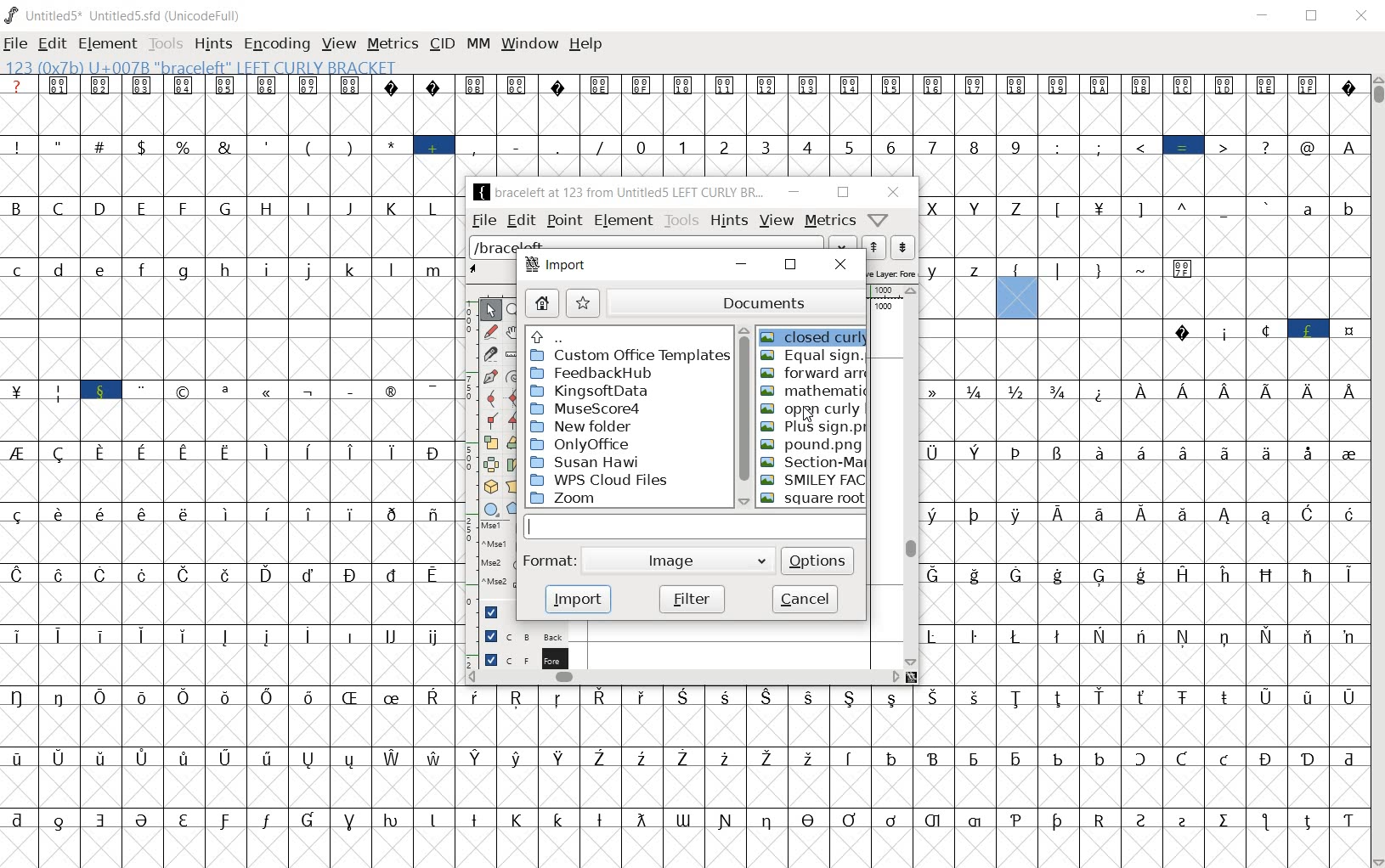 This screenshot has height=868, width=1385. Describe the element at coordinates (514, 509) in the screenshot. I see `polygon or star` at that location.